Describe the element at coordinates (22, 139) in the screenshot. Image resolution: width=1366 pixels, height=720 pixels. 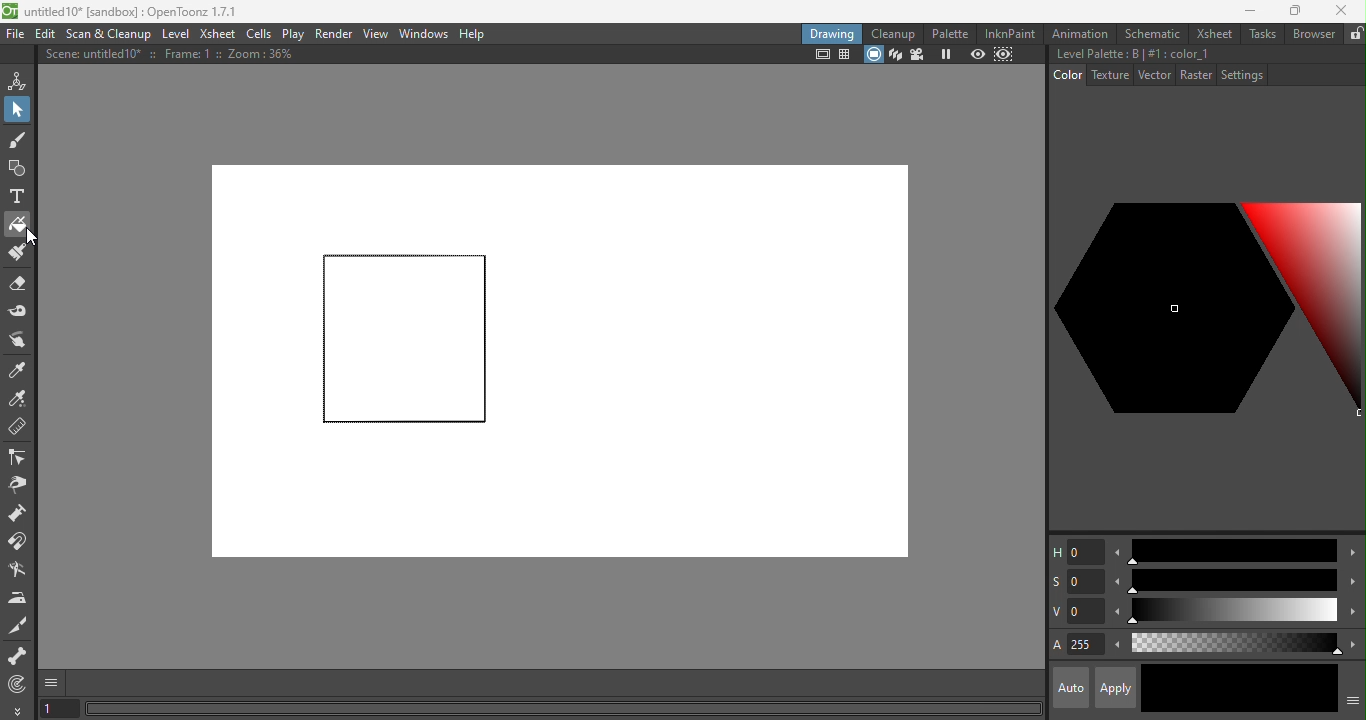
I see `Brush tool` at that location.